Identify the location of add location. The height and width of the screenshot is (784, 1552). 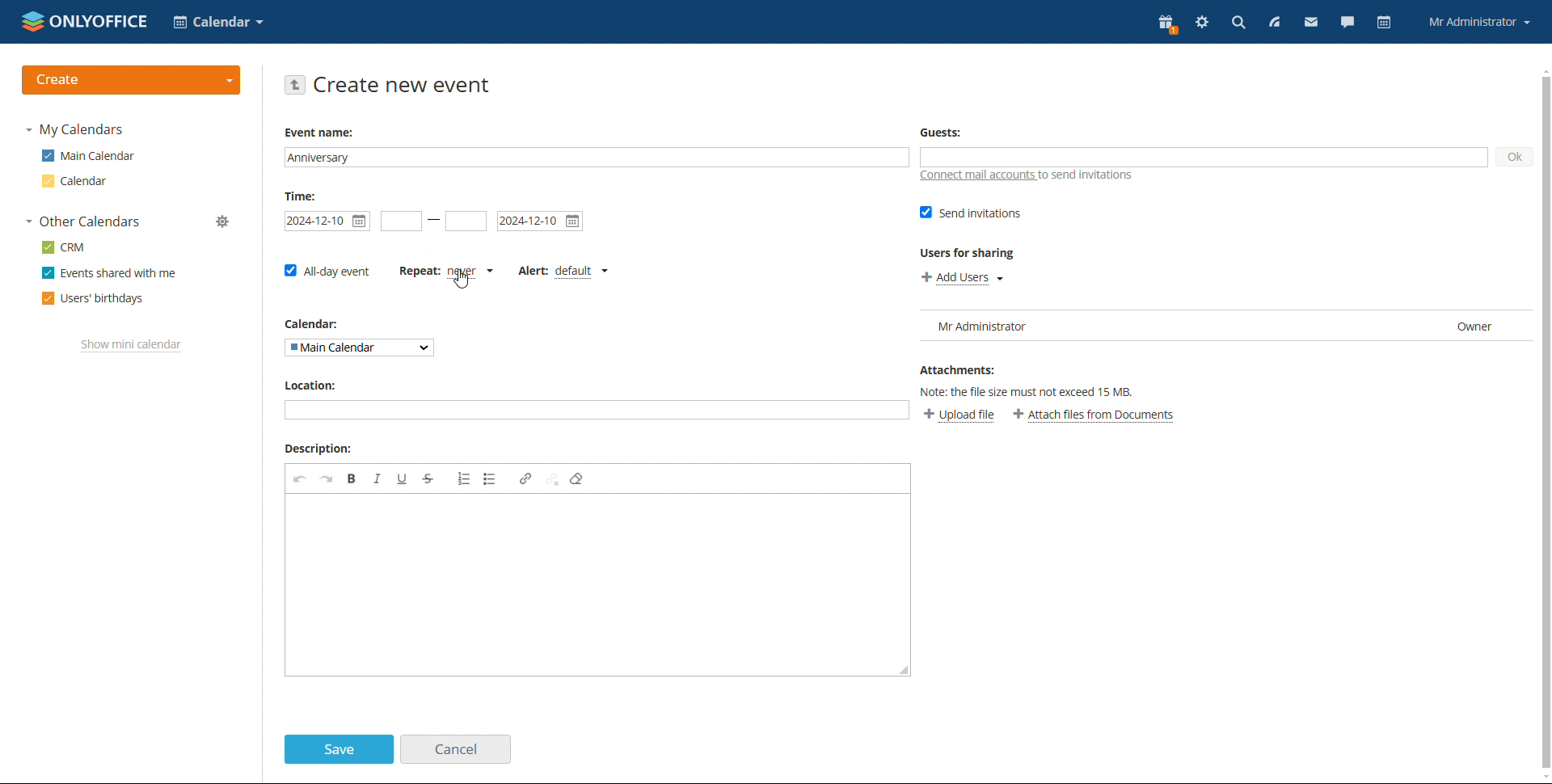
(586, 411).